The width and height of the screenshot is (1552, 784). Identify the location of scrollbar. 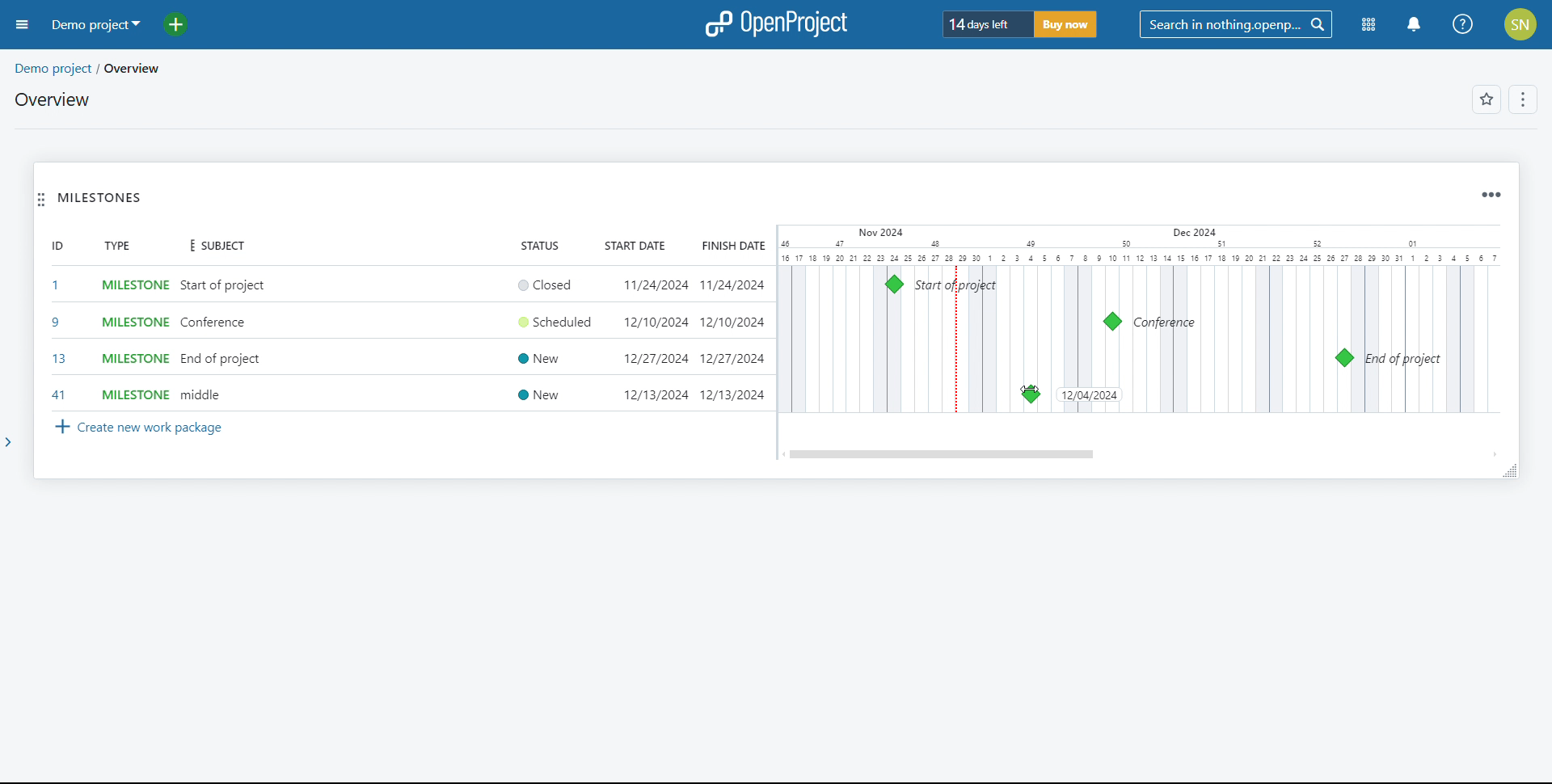
(943, 454).